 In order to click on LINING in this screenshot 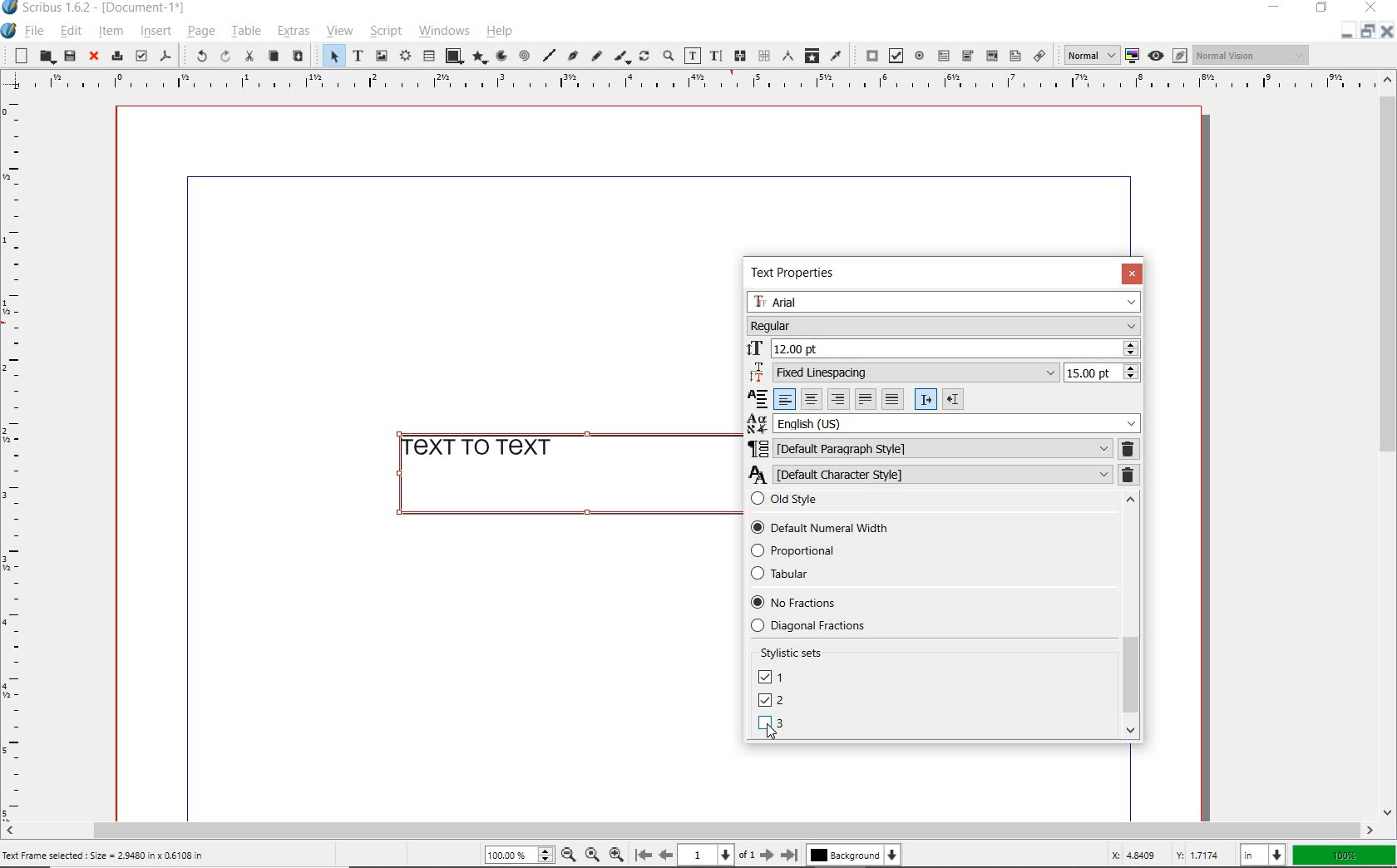, I will do `click(772, 725)`.